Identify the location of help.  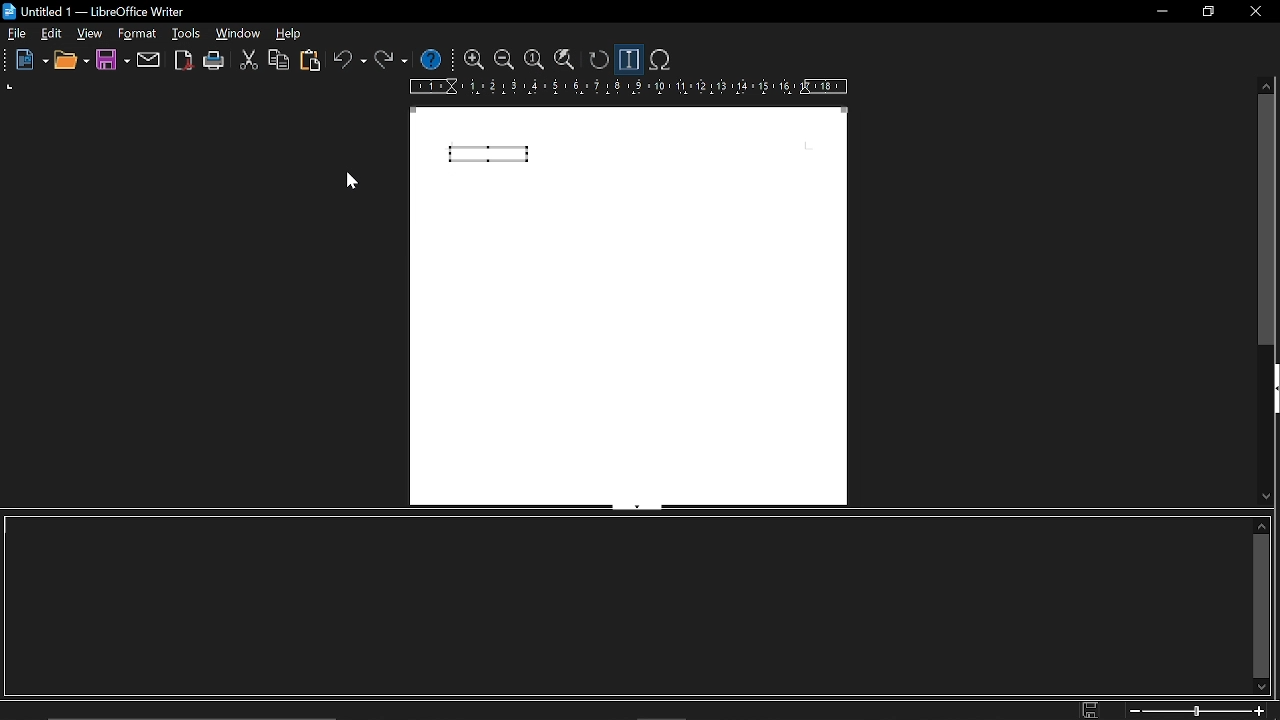
(433, 59).